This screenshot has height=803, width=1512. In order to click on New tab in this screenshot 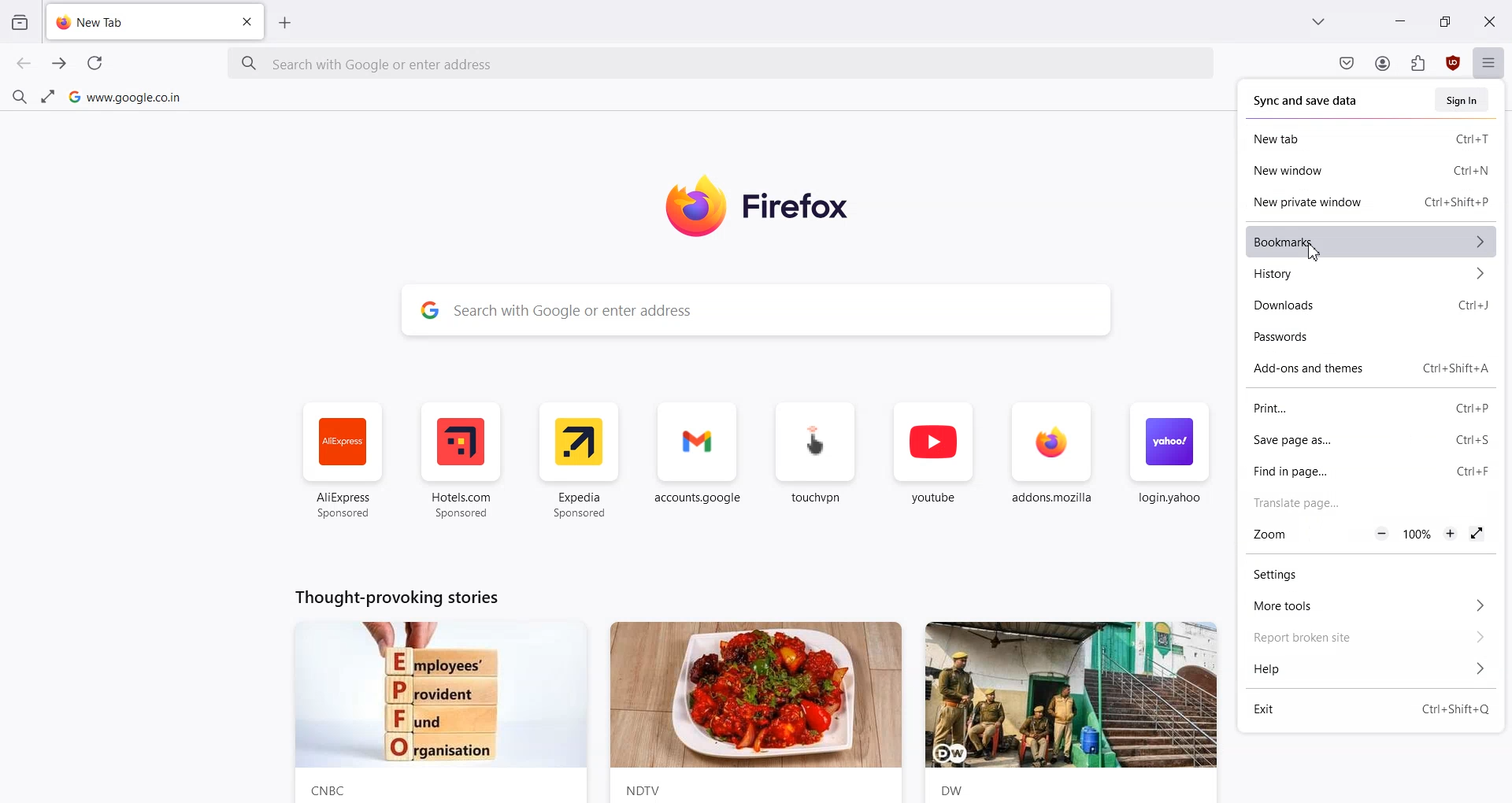, I will do `click(1324, 139)`.